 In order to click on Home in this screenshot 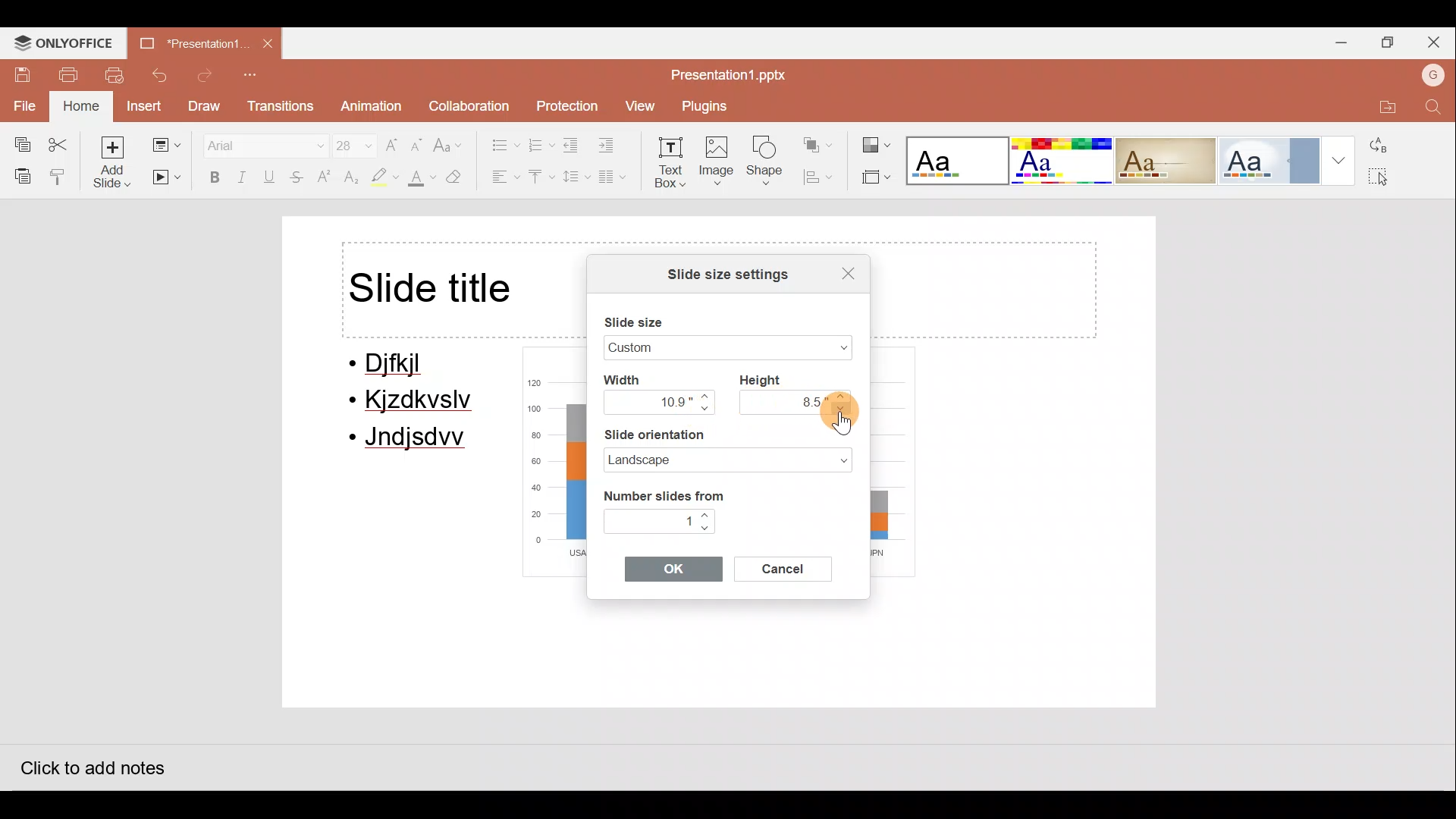, I will do `click(79, 107)`.